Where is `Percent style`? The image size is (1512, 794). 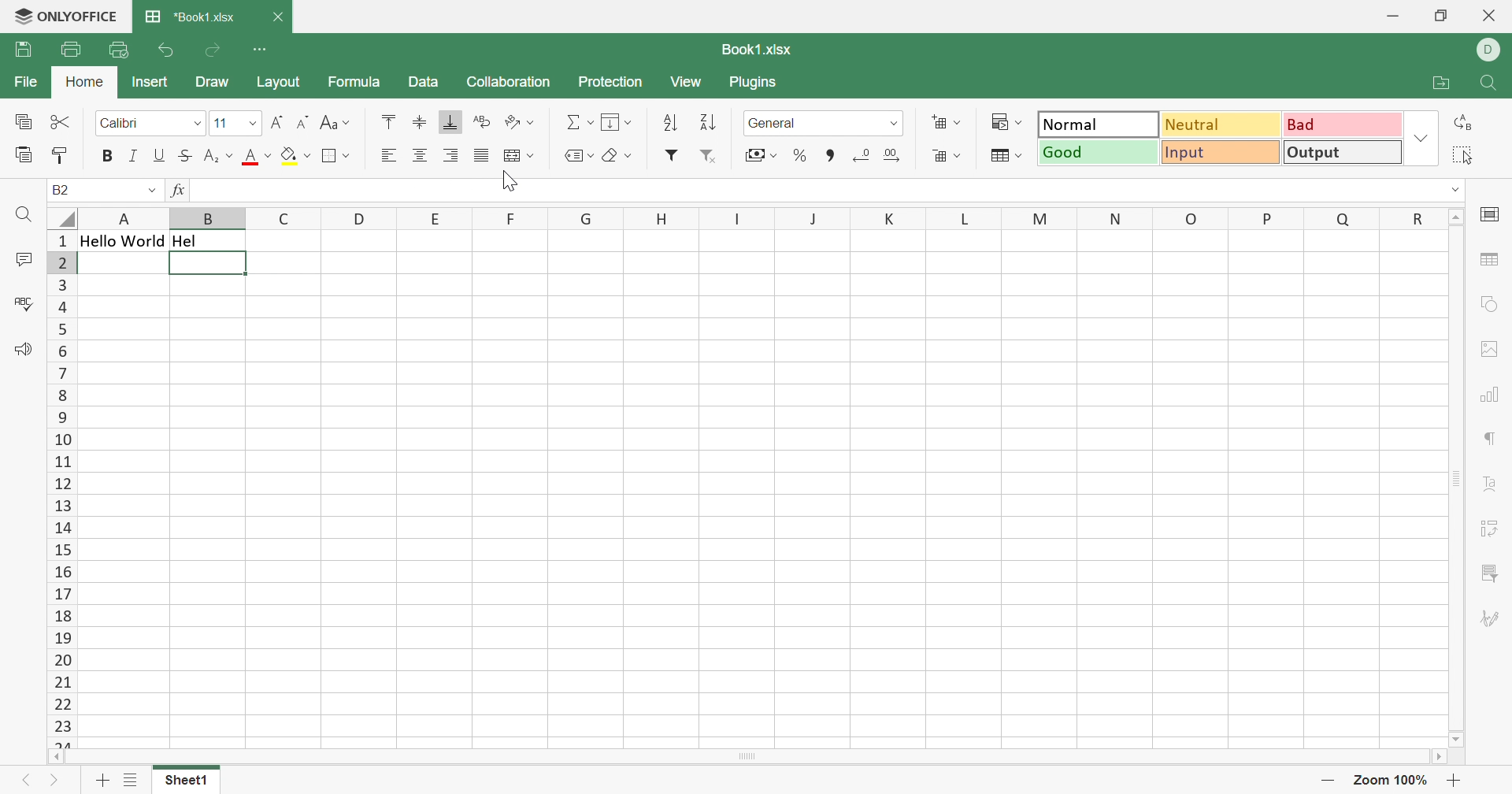 Percent style is located at coordinates (801, 156).